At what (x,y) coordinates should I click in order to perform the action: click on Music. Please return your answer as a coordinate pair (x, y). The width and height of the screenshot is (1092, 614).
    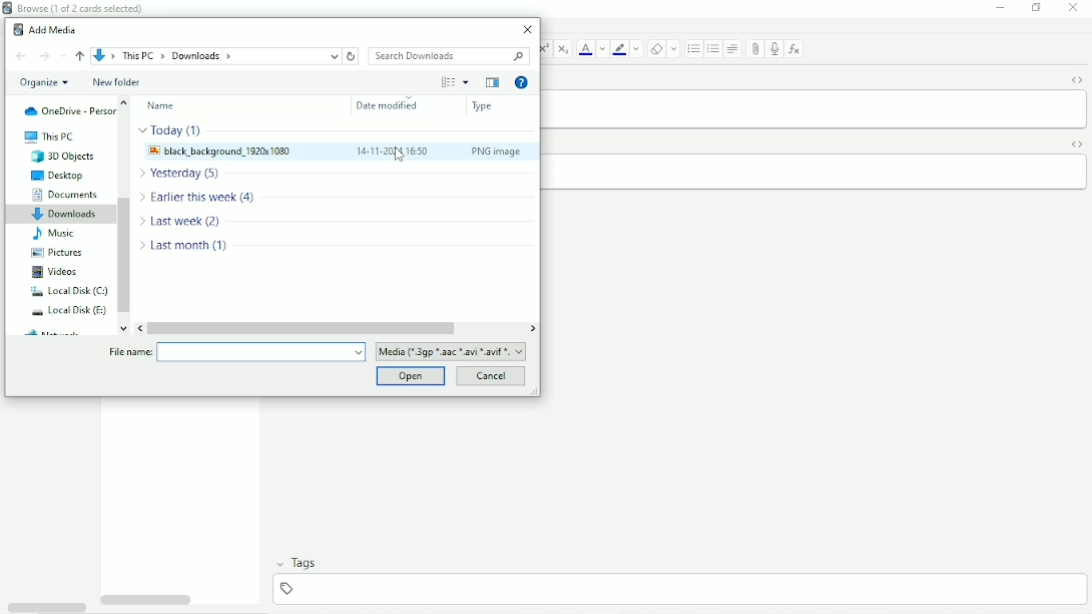
    Looking at the image, I should click on (57, 234).